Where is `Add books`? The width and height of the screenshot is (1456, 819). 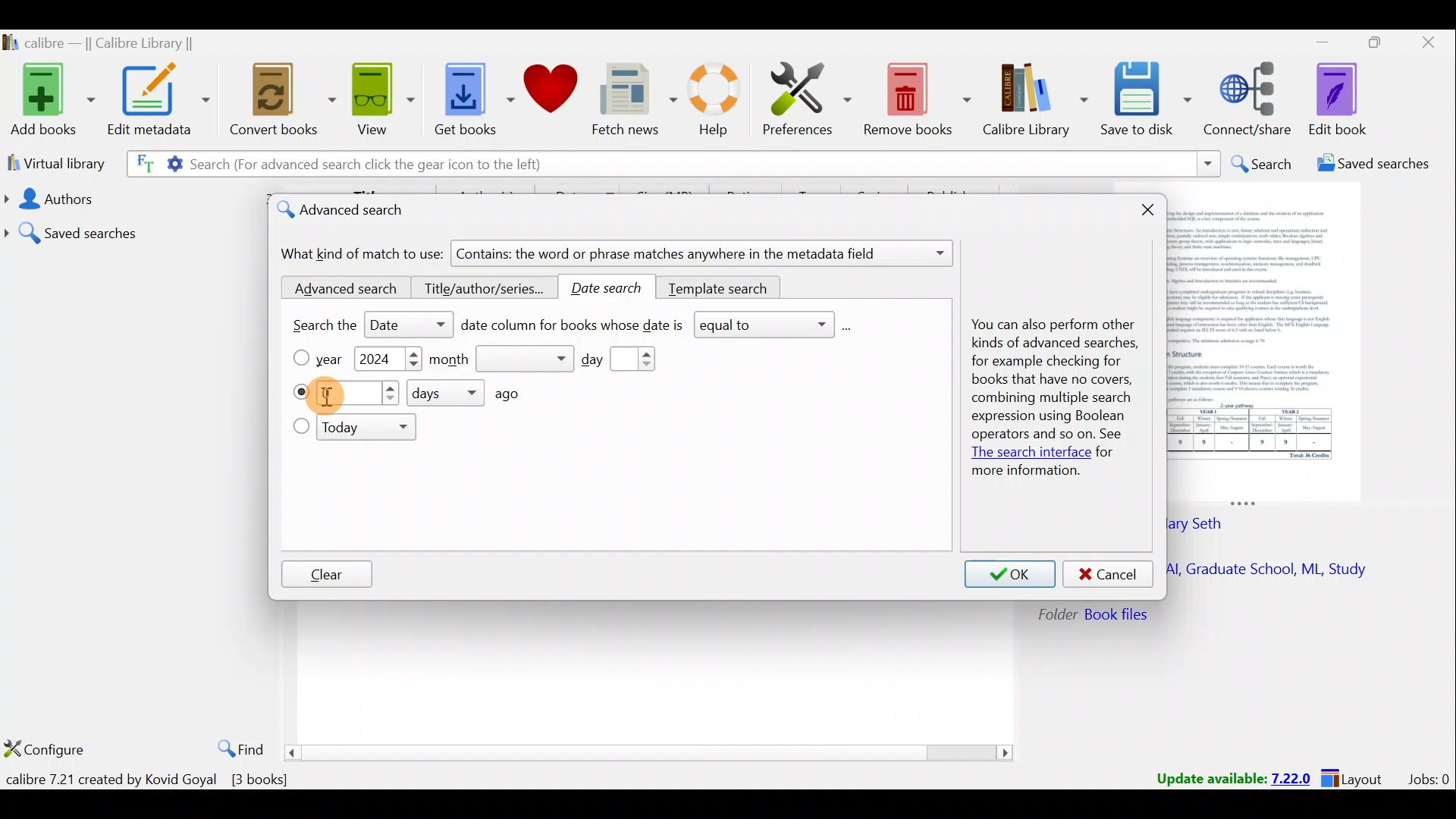 Add books is located at coordinates (49, 97).